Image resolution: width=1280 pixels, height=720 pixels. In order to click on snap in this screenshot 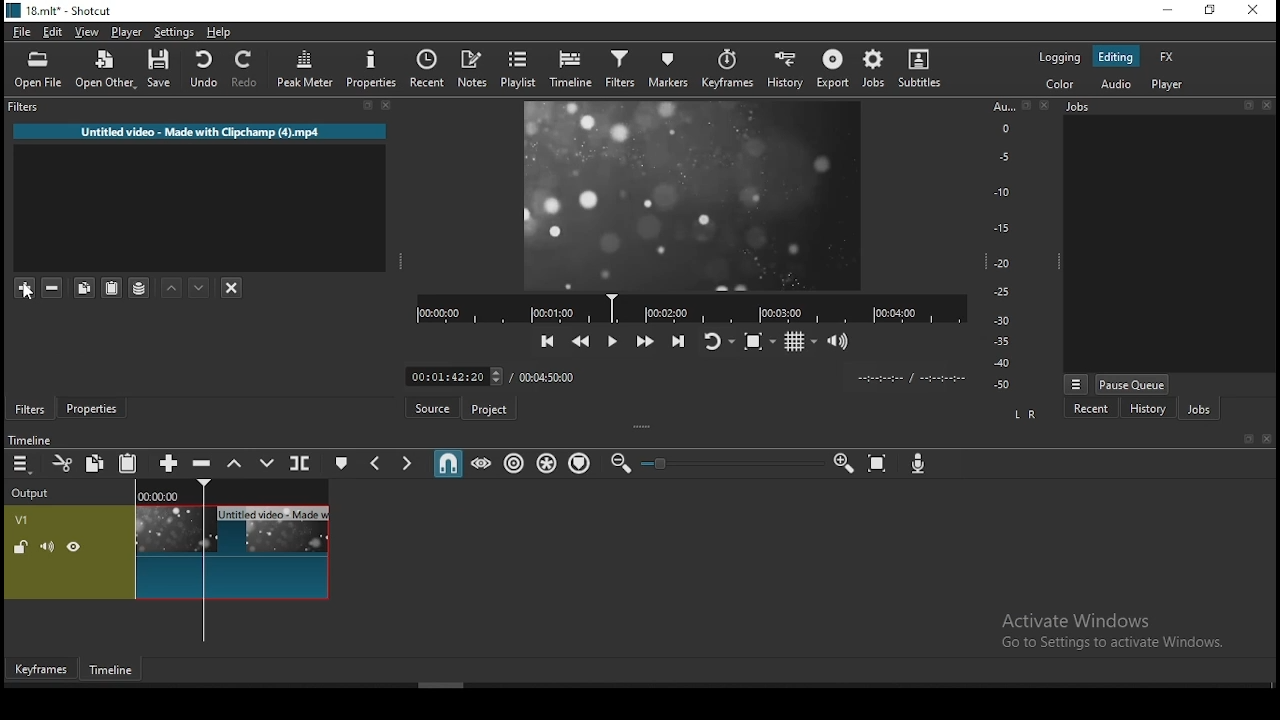, I will do `click(447, 461)`.